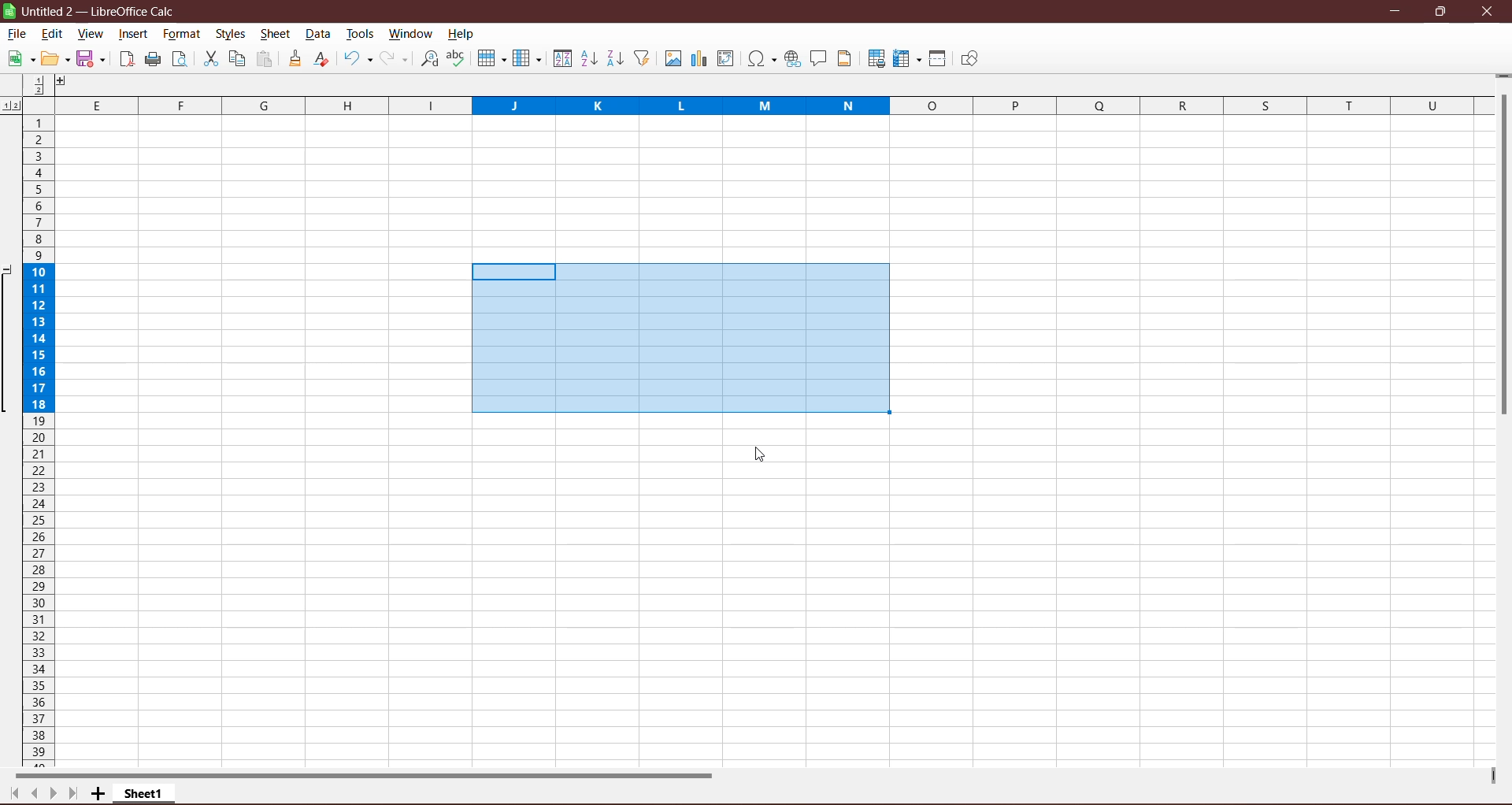 This screenshot has width=1512, height=805. What do you see at coordinates (908, 59) in the screenshot?
I see `Freeze Rows and Columns` at bounding box center [908, 59].